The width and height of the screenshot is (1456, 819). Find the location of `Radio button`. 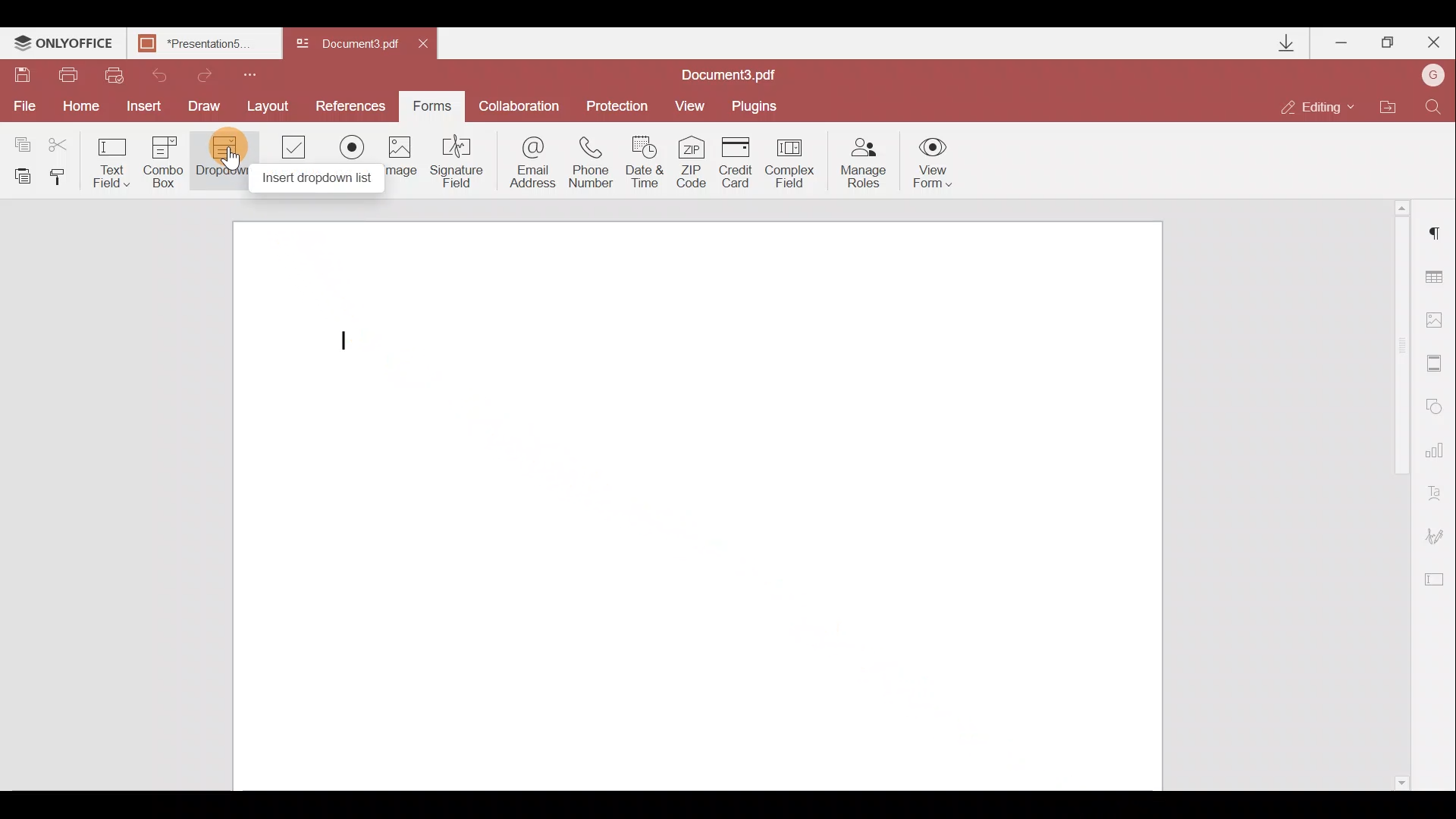

Radio button is located at coordinates (352, 161).